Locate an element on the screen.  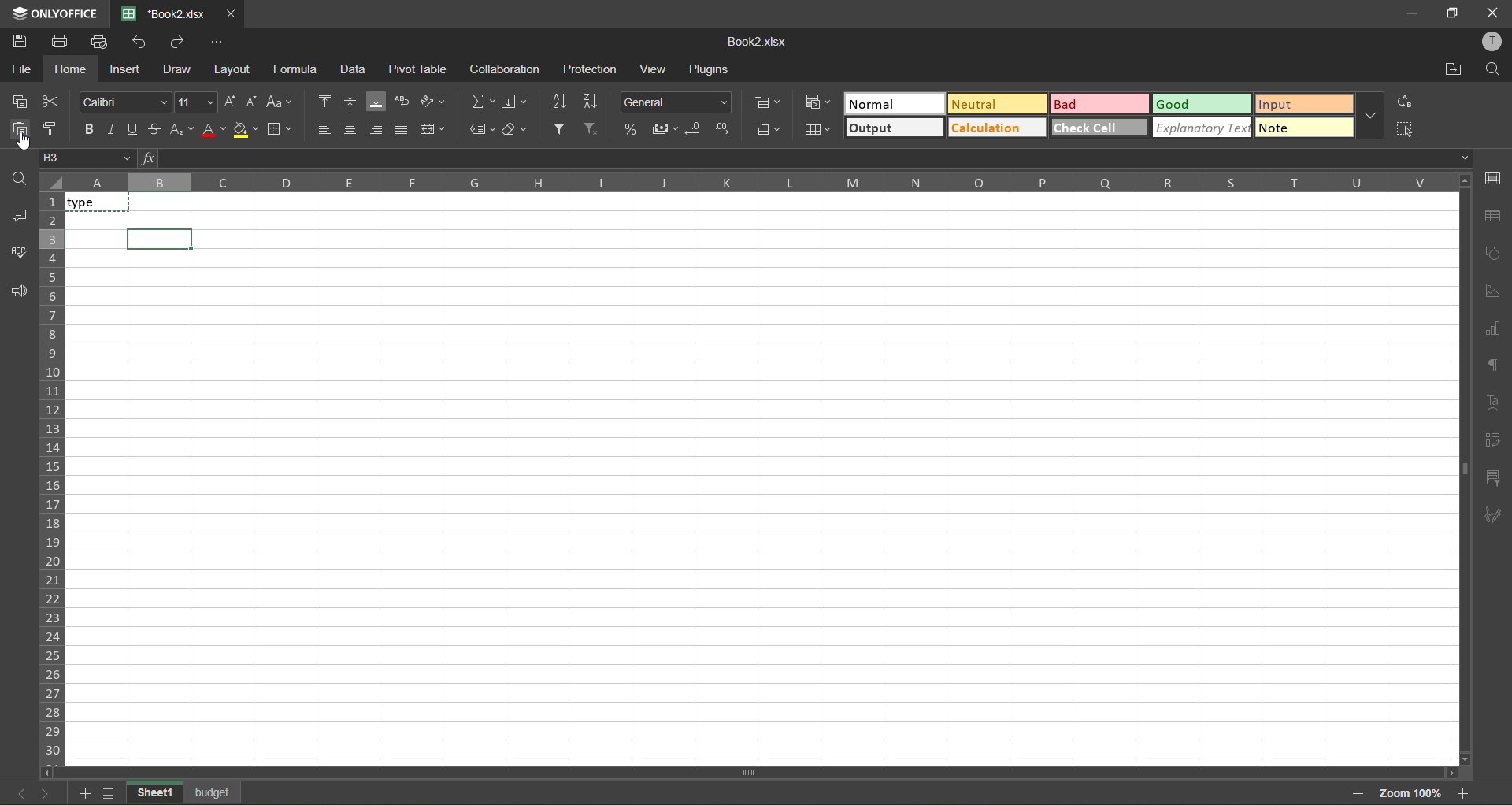
copied cell  is located at coordinates (98, 201).